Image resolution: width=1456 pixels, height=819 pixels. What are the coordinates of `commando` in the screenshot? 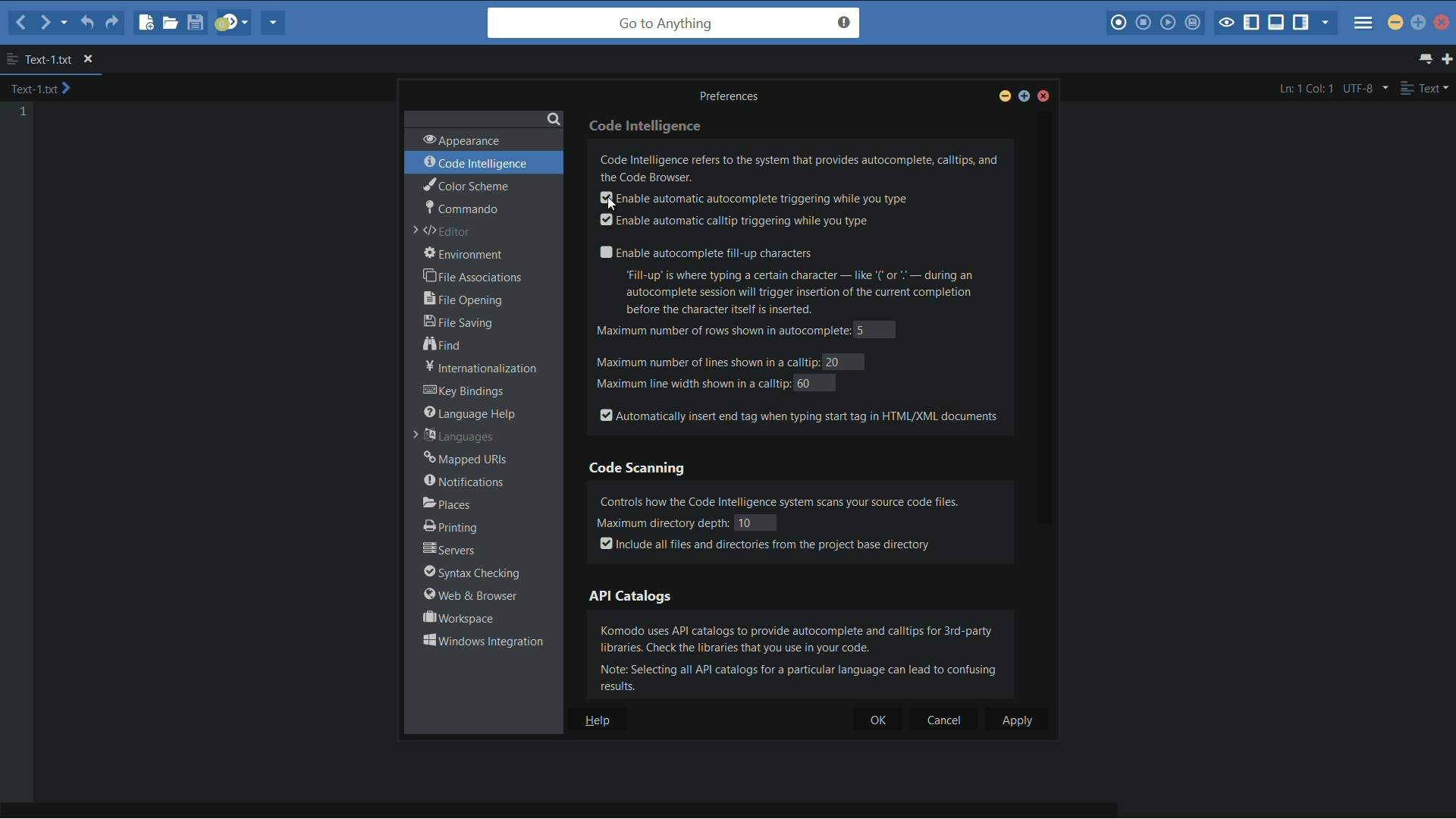 It's located at (461, 207).